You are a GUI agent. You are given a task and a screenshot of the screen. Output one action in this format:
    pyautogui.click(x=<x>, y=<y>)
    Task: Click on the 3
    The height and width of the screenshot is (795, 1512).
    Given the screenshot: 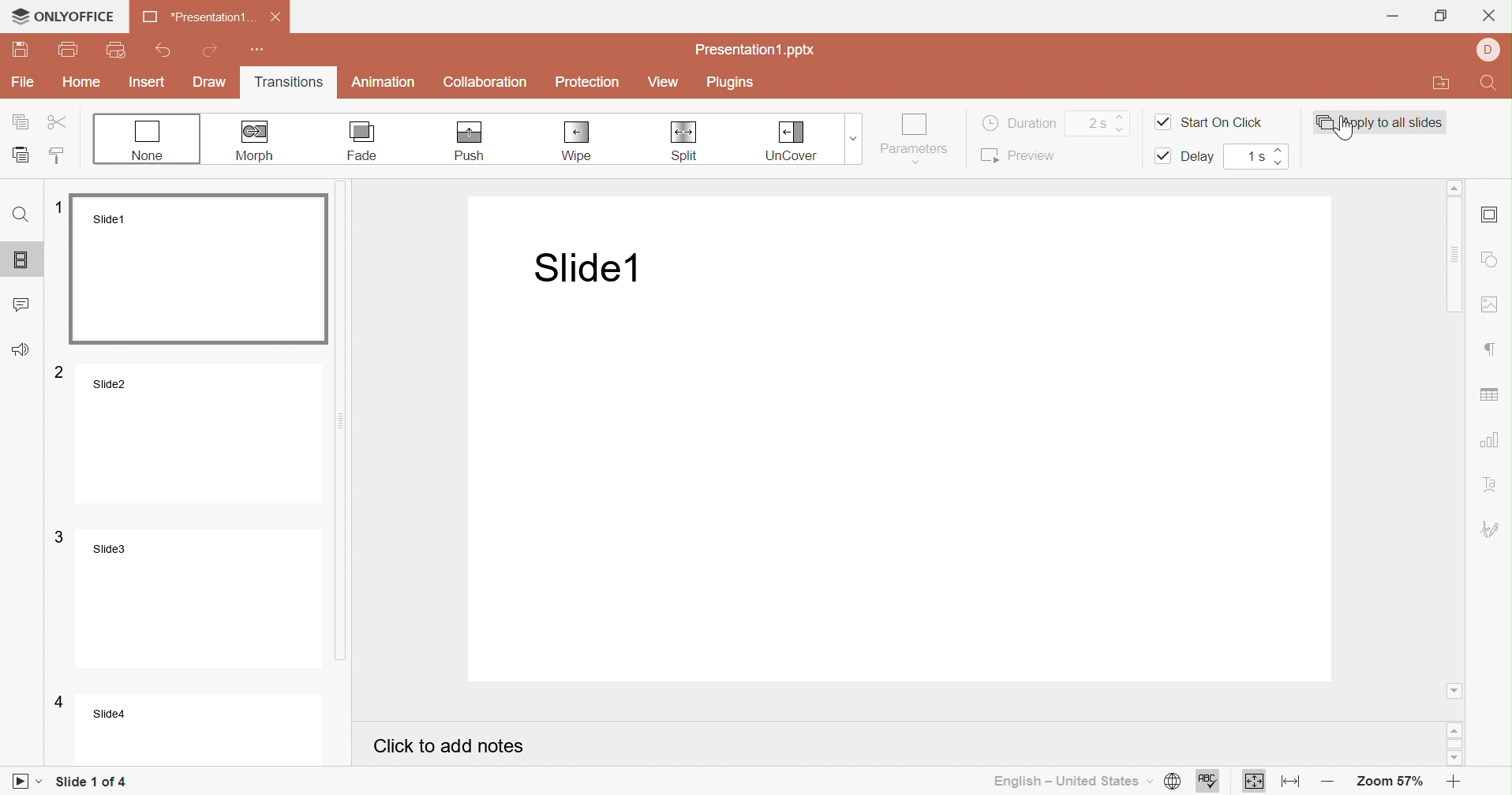 What is the action you would take?
    pyautogui.click(x=60, y=536)
    